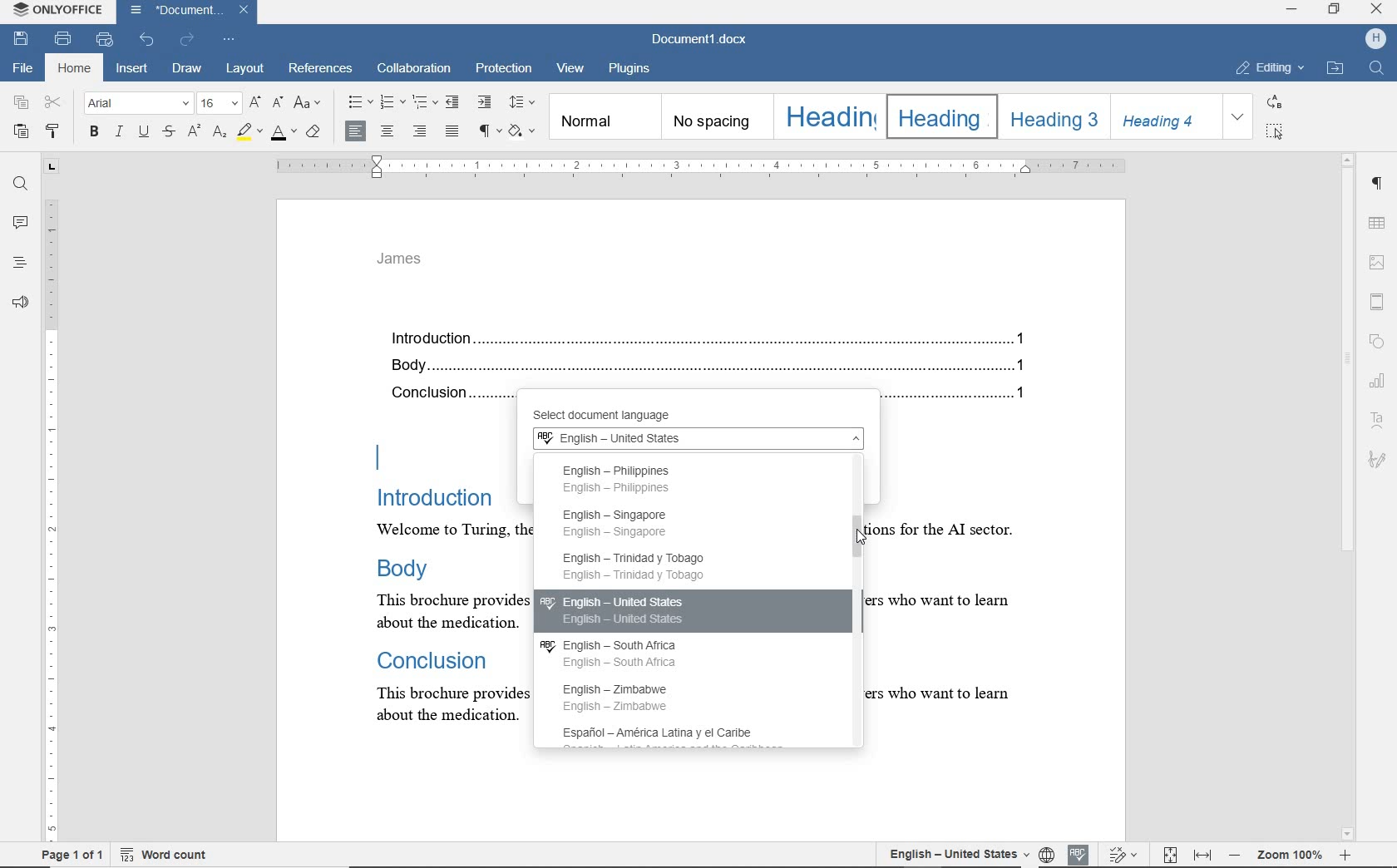 The image size is (1397, 868). I want to click on align center, so click(387, 132).